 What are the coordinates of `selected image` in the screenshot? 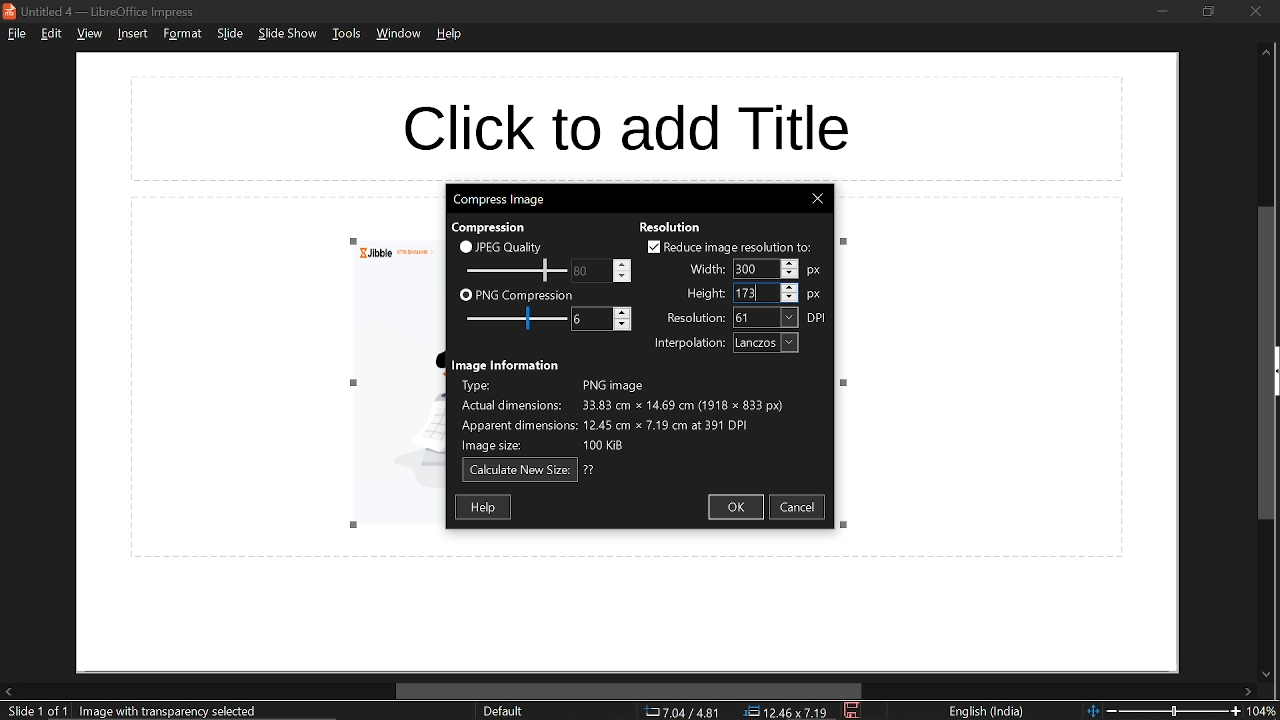 It's located at (173, 711).